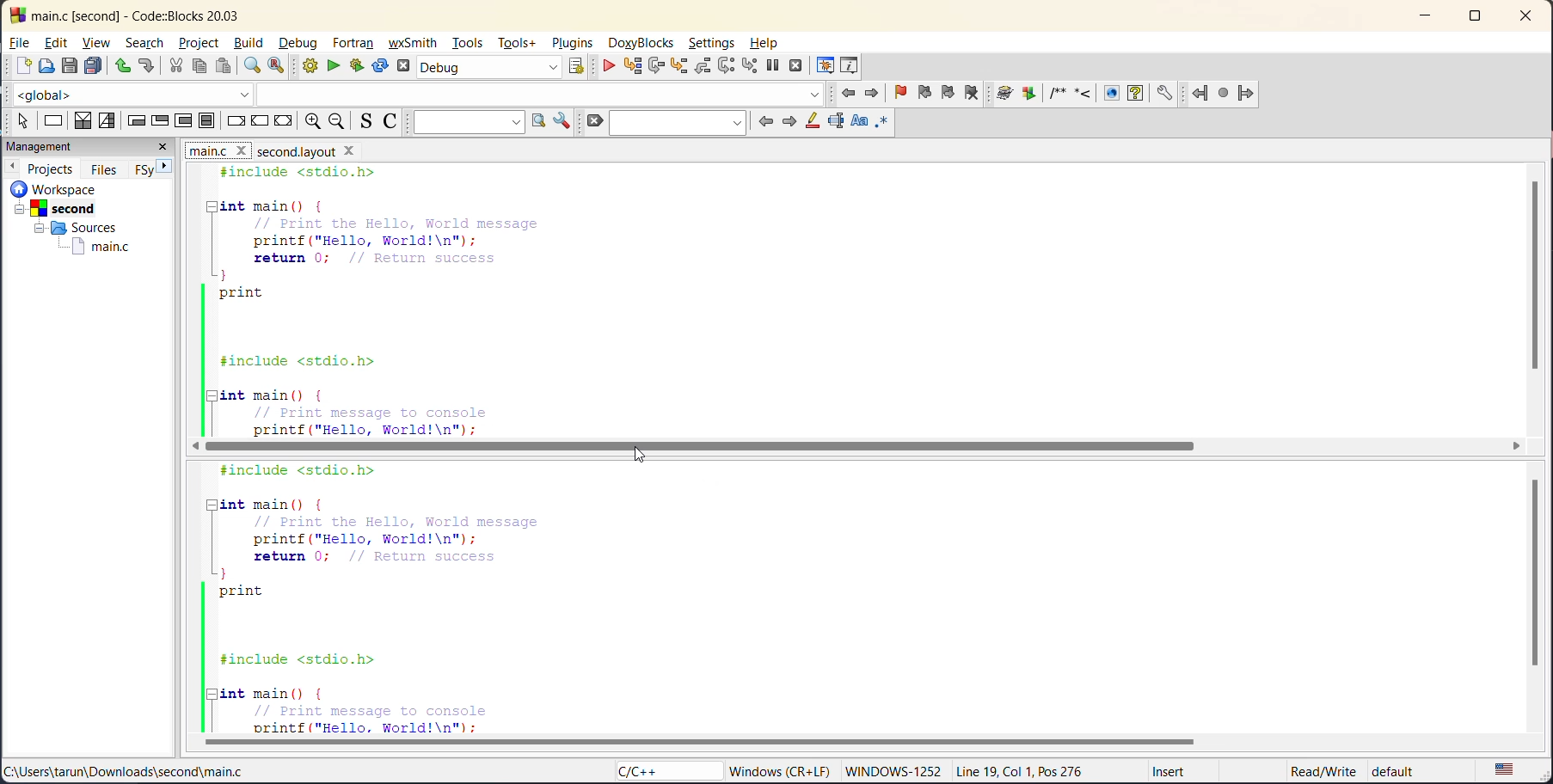 The width and height of the screenshot is (1553, 784). Describe the element at coordinates (780, 770) in the screenshot. I see `metadata` at that location.